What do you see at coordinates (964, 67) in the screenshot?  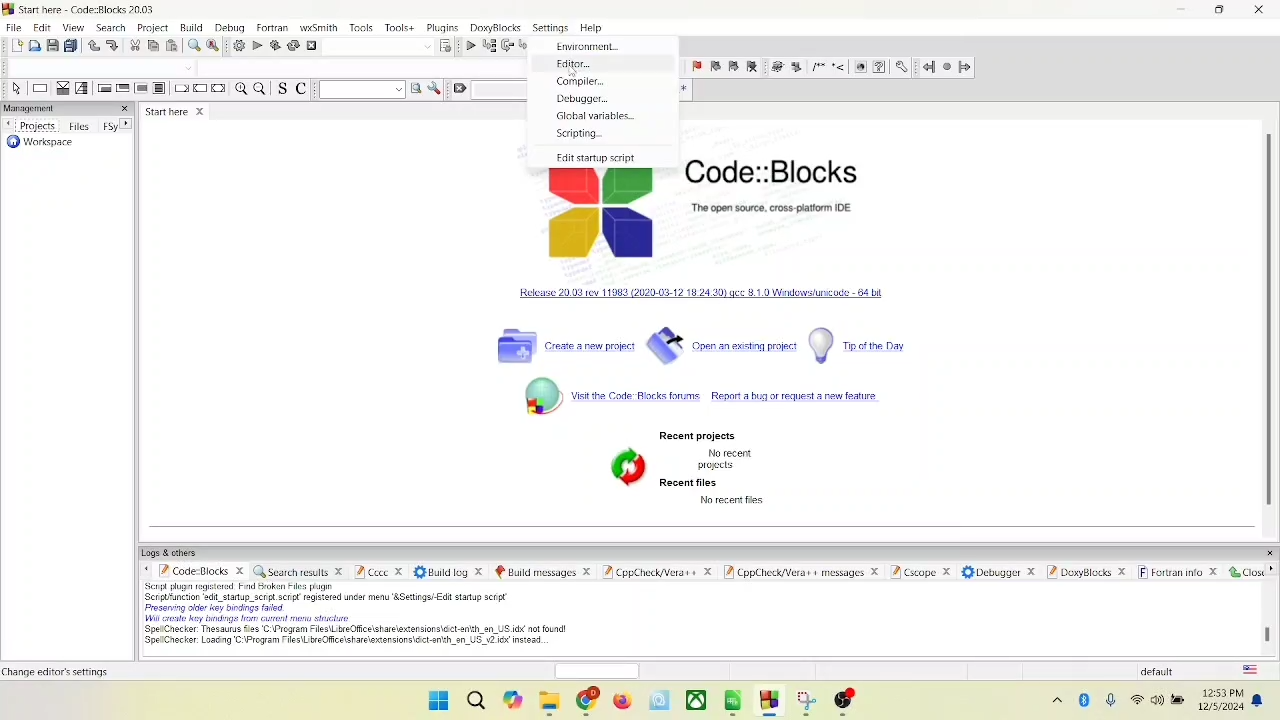 I see `jump forward` at bounding box center [964, 67].